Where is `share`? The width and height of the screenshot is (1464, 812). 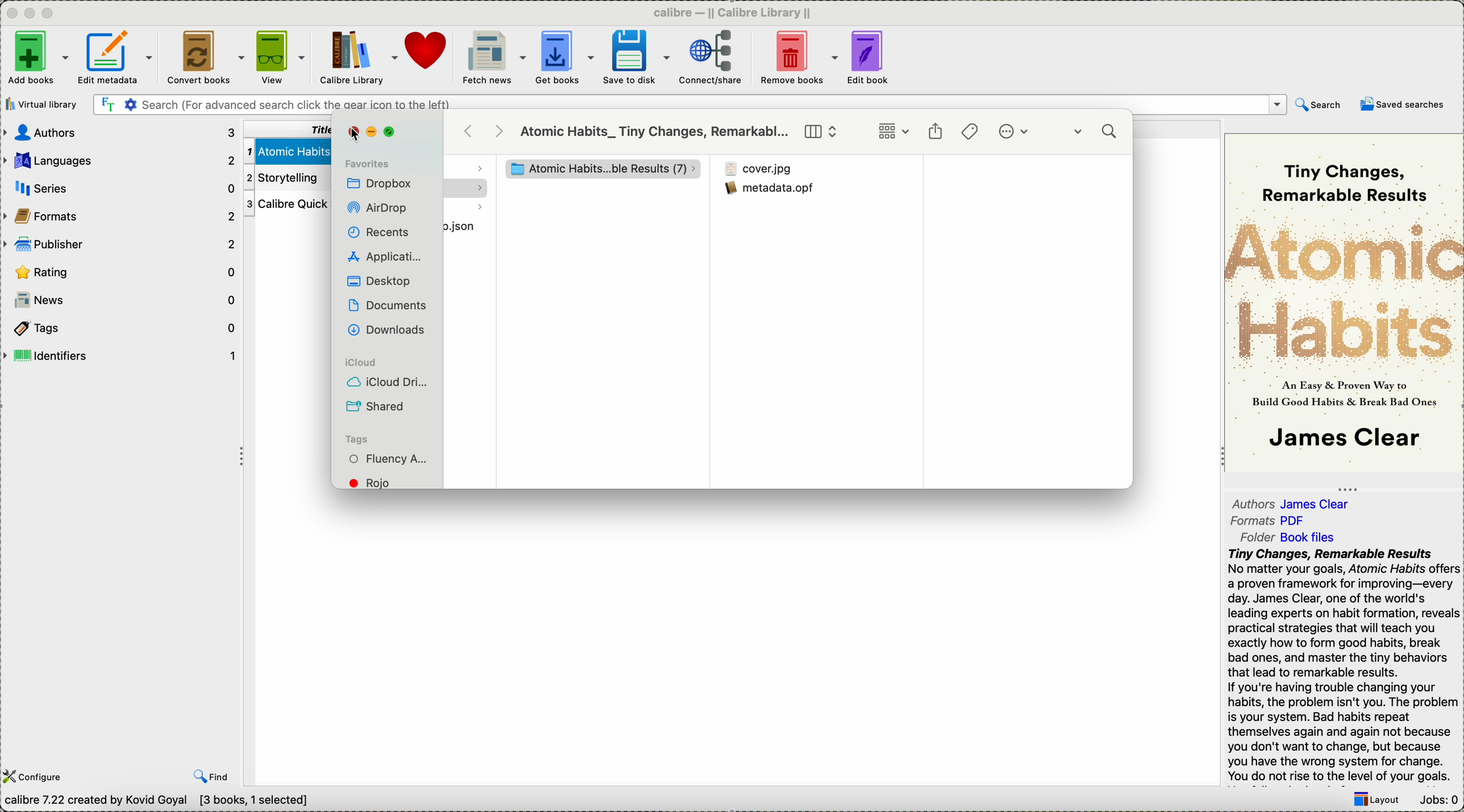 share is located at coordinates (935, 132).